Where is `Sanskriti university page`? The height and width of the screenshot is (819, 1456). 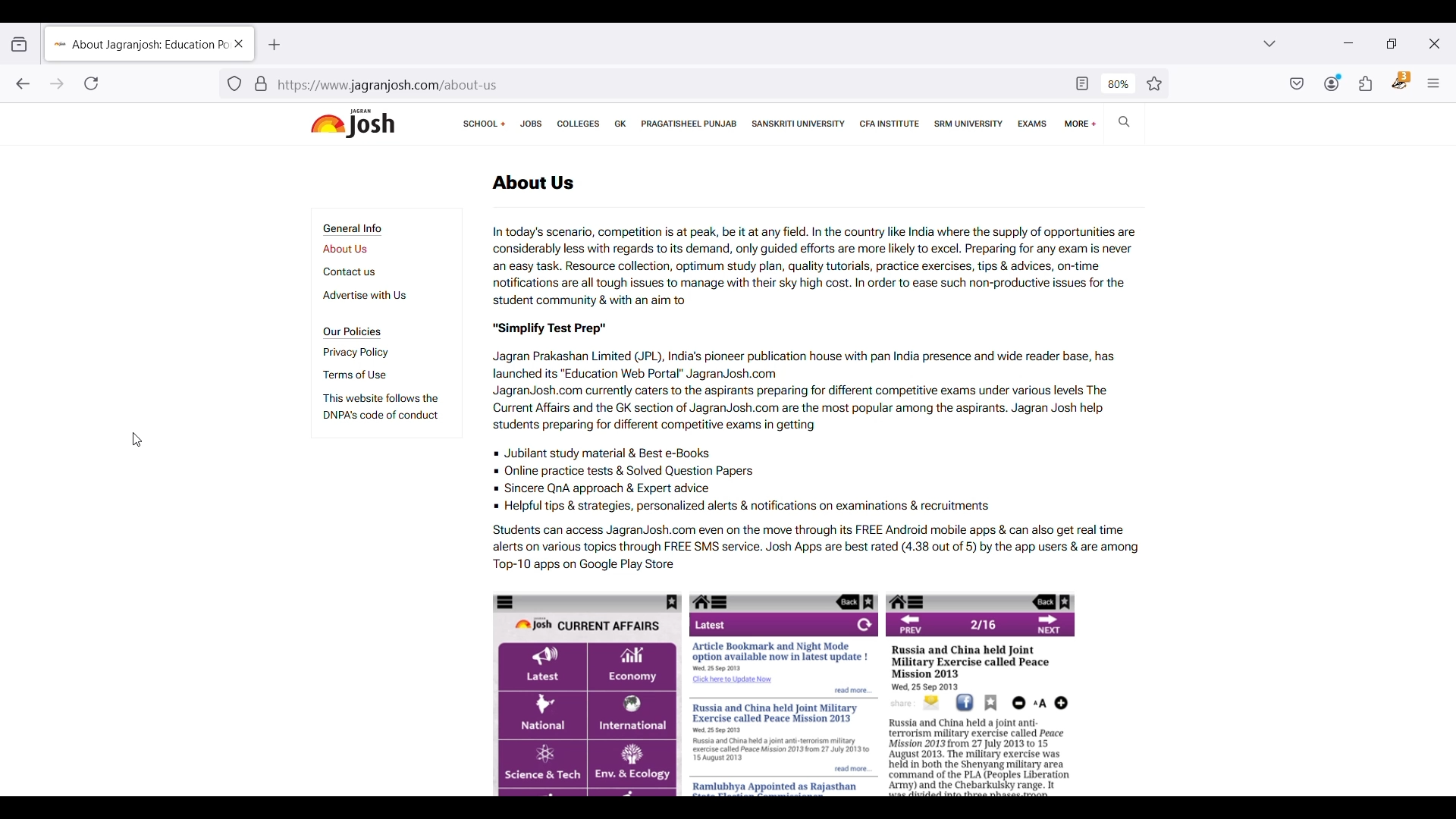 Sanskriti university page is located at coordinates (799, 124).